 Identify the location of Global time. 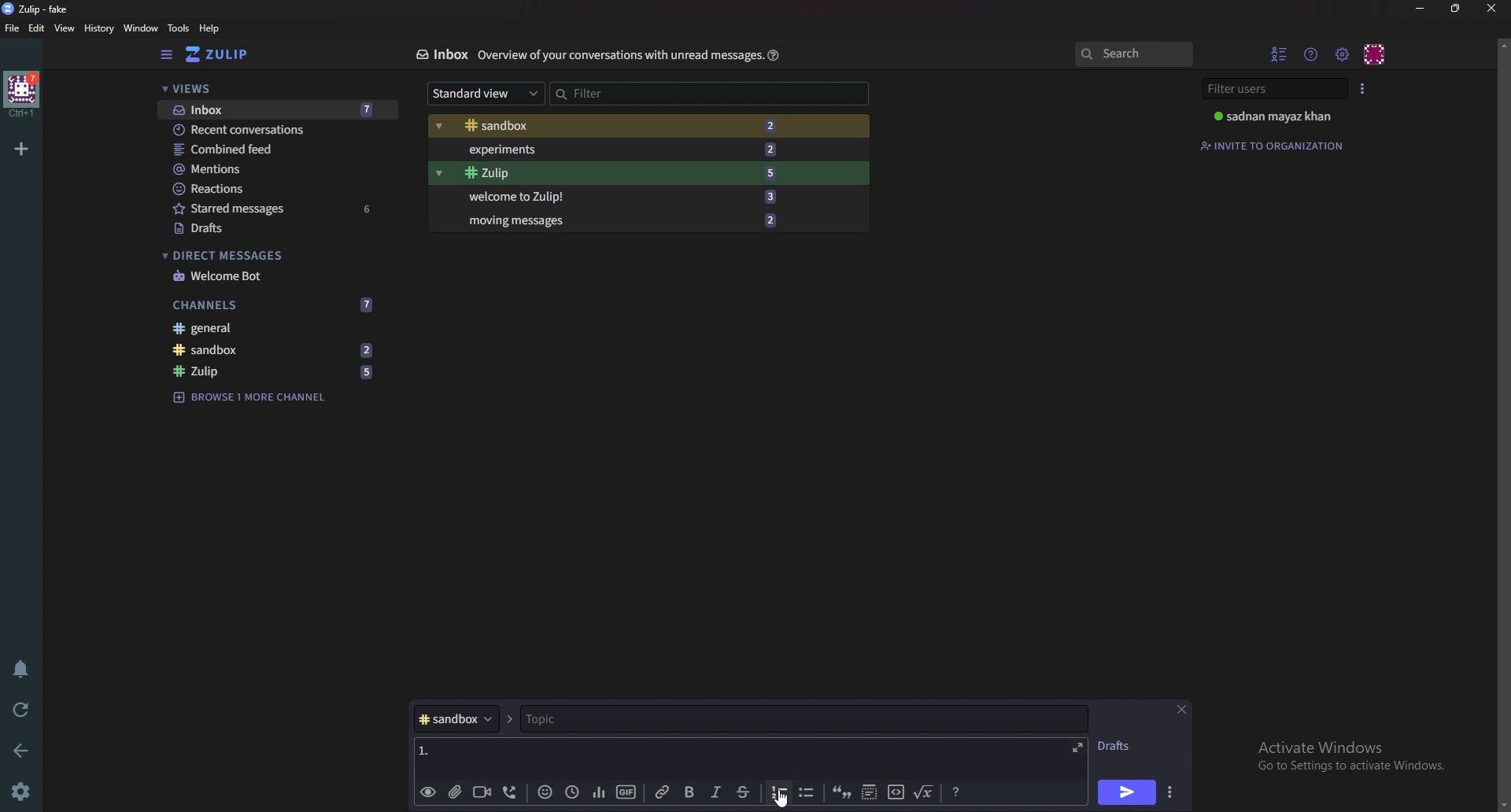
(571, 791).